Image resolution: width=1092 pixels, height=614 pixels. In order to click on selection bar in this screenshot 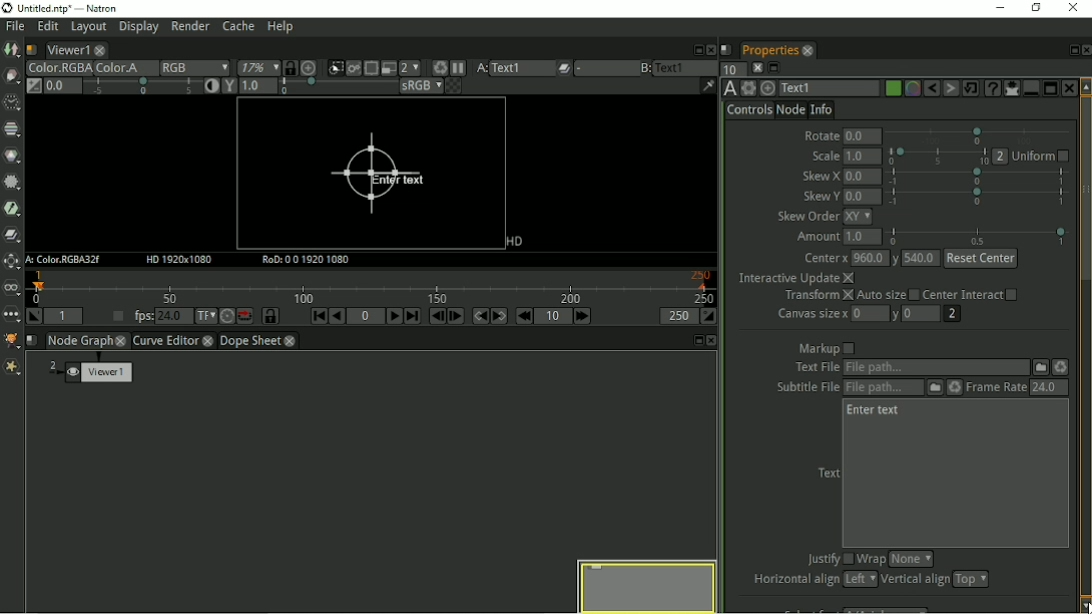, I will do `click(977, 177)`.